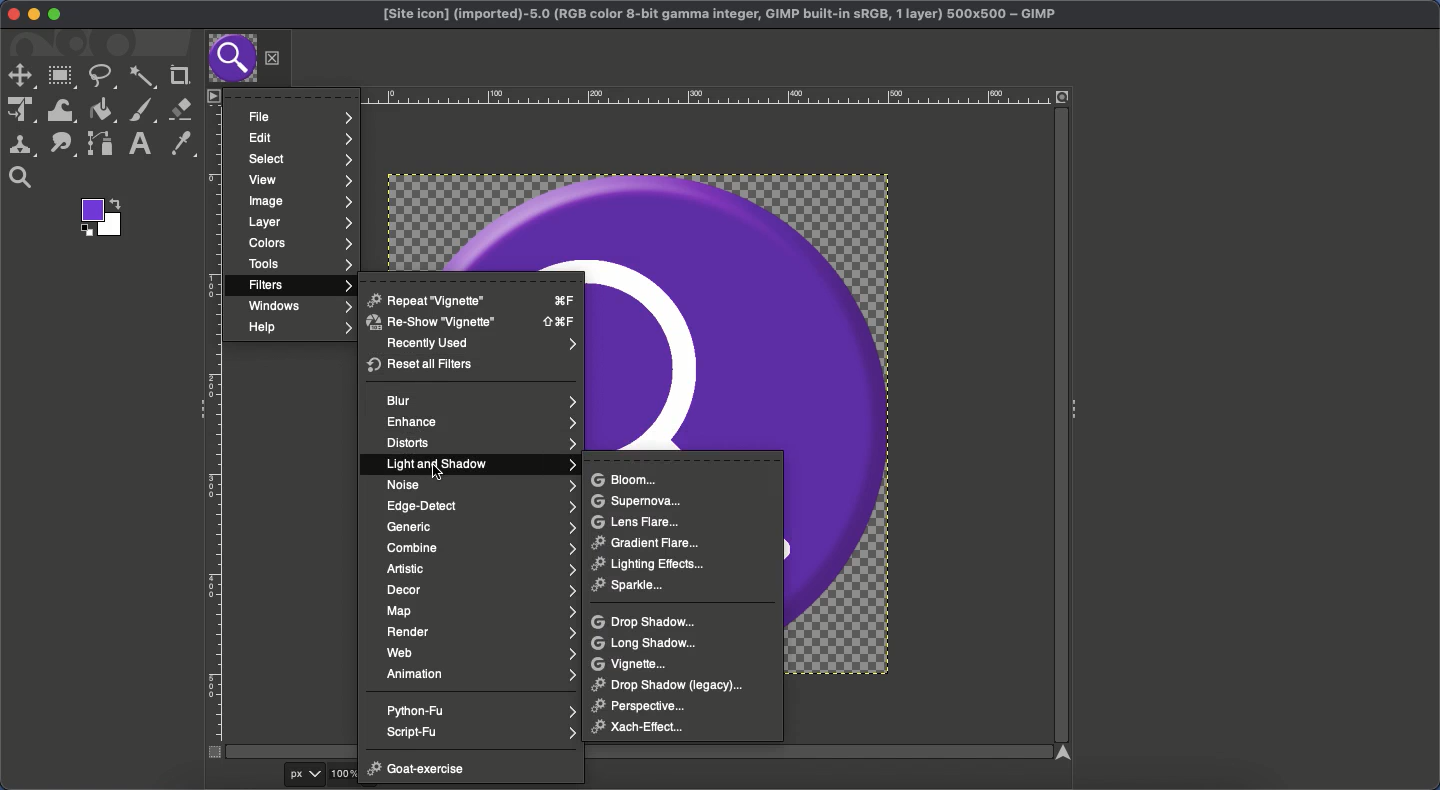 The width and height of the screenshot is (1440, 790). I want to click on Python-fu, so click(482, 710).